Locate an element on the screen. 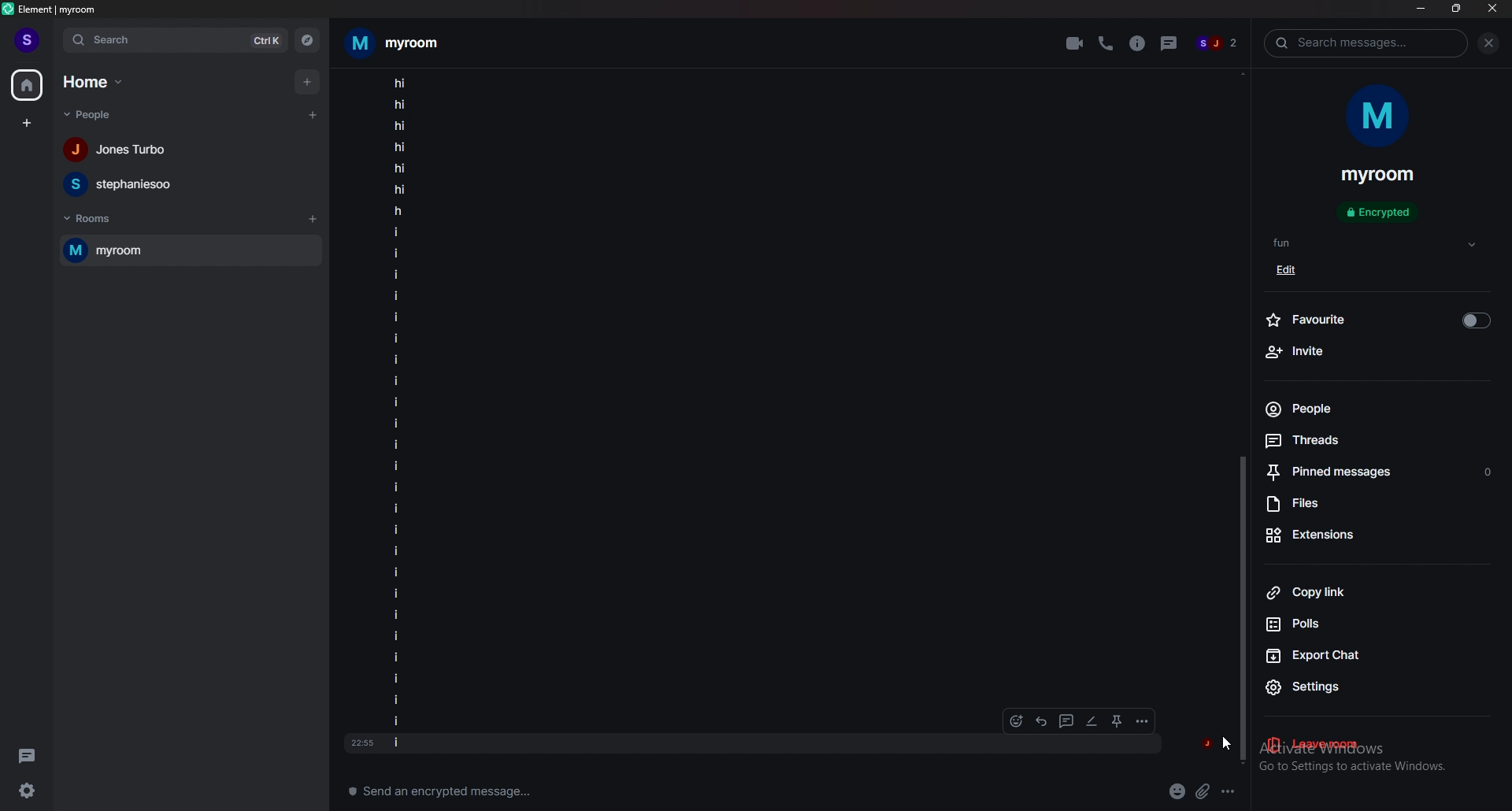 The height and width of the screenshot is (811, 1512). encrypted is located at coordinates (1382, 211).